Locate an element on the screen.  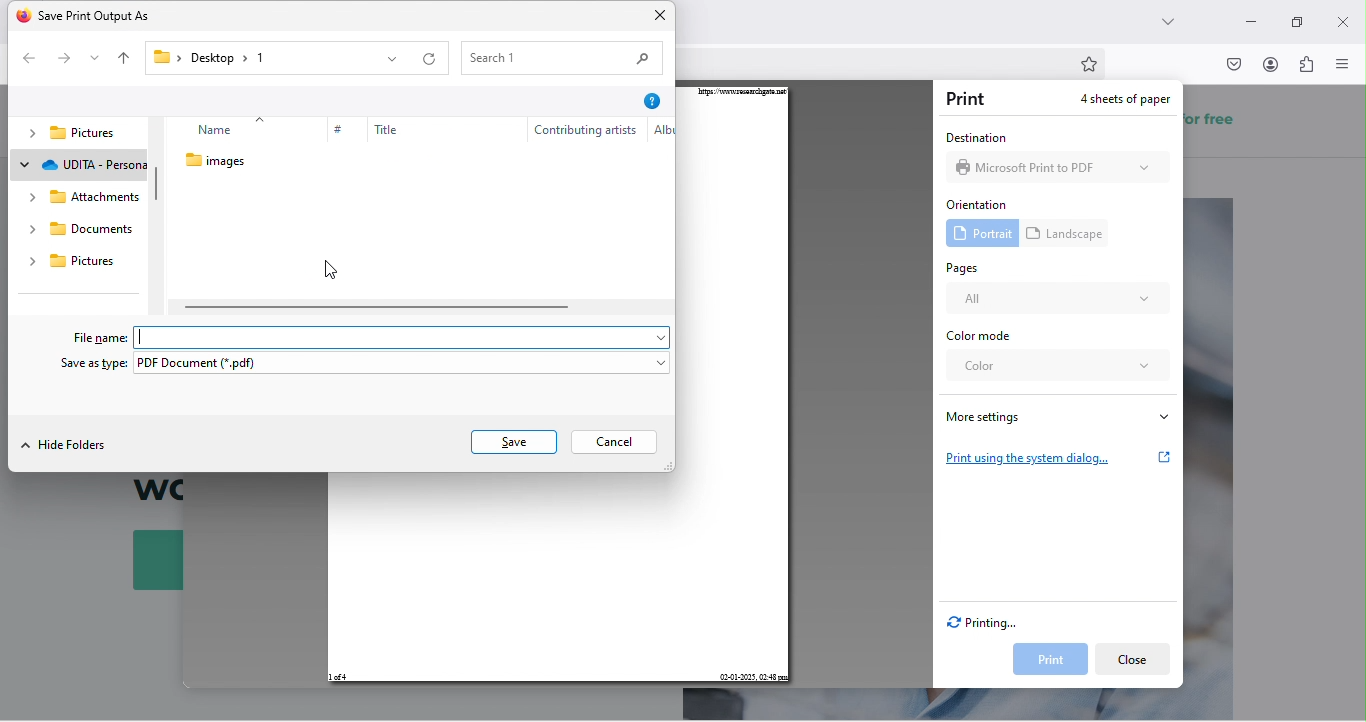
1 of 4 is located at coordinates (336, 676).